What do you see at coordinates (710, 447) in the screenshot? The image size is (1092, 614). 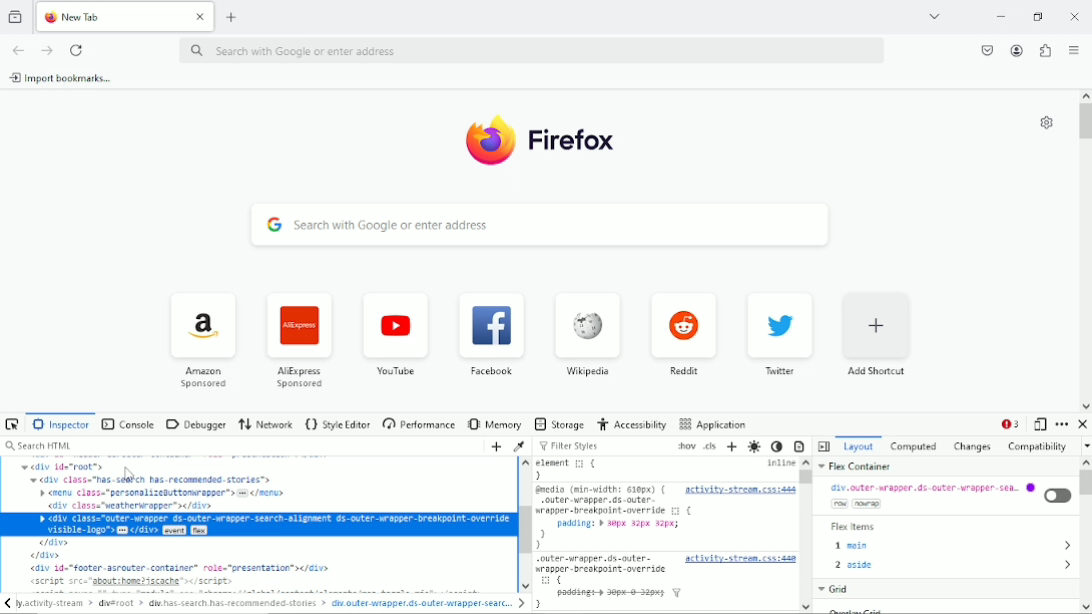 I see `.cls` at bounding box center [710, 447].